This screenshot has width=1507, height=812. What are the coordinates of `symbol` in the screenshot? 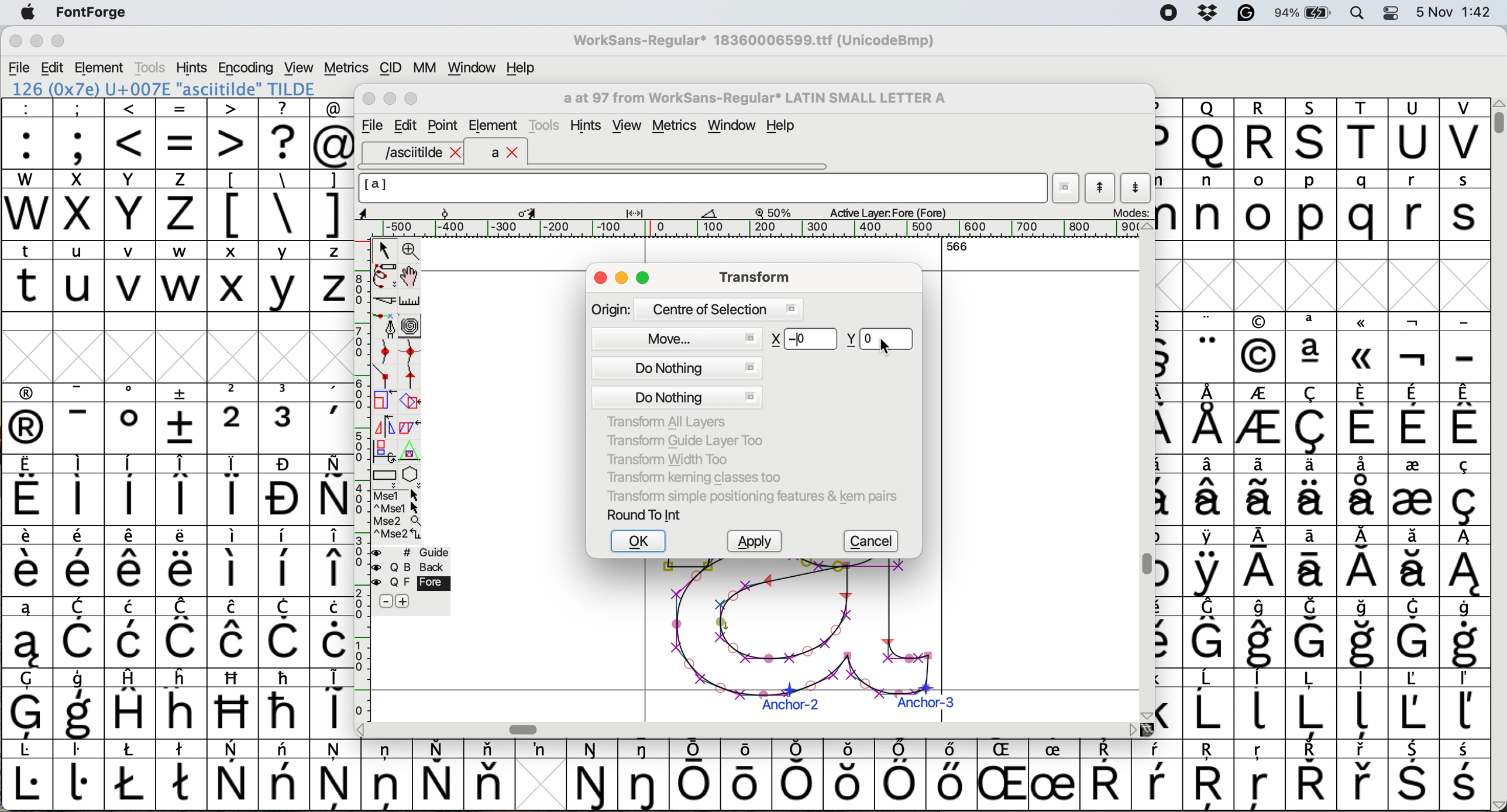 It's located at (1412, 703).